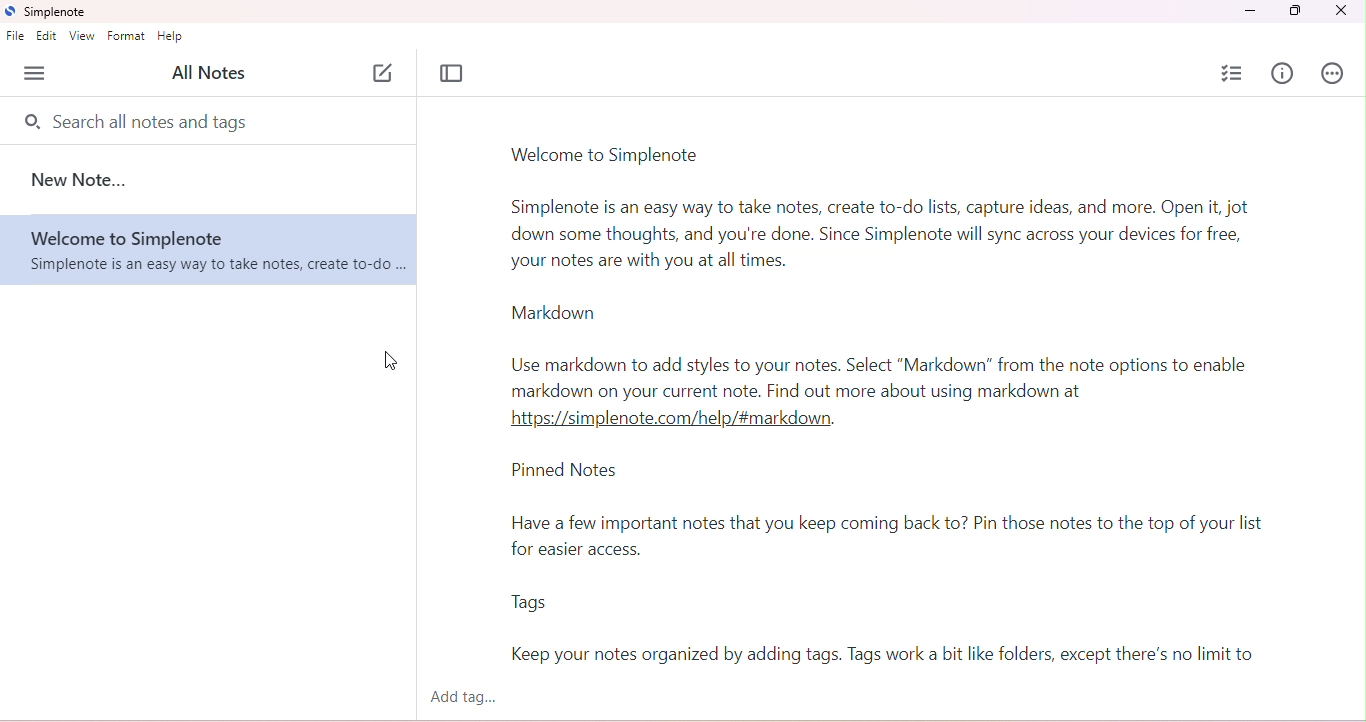  I want to click on info, so click(1284, 75).